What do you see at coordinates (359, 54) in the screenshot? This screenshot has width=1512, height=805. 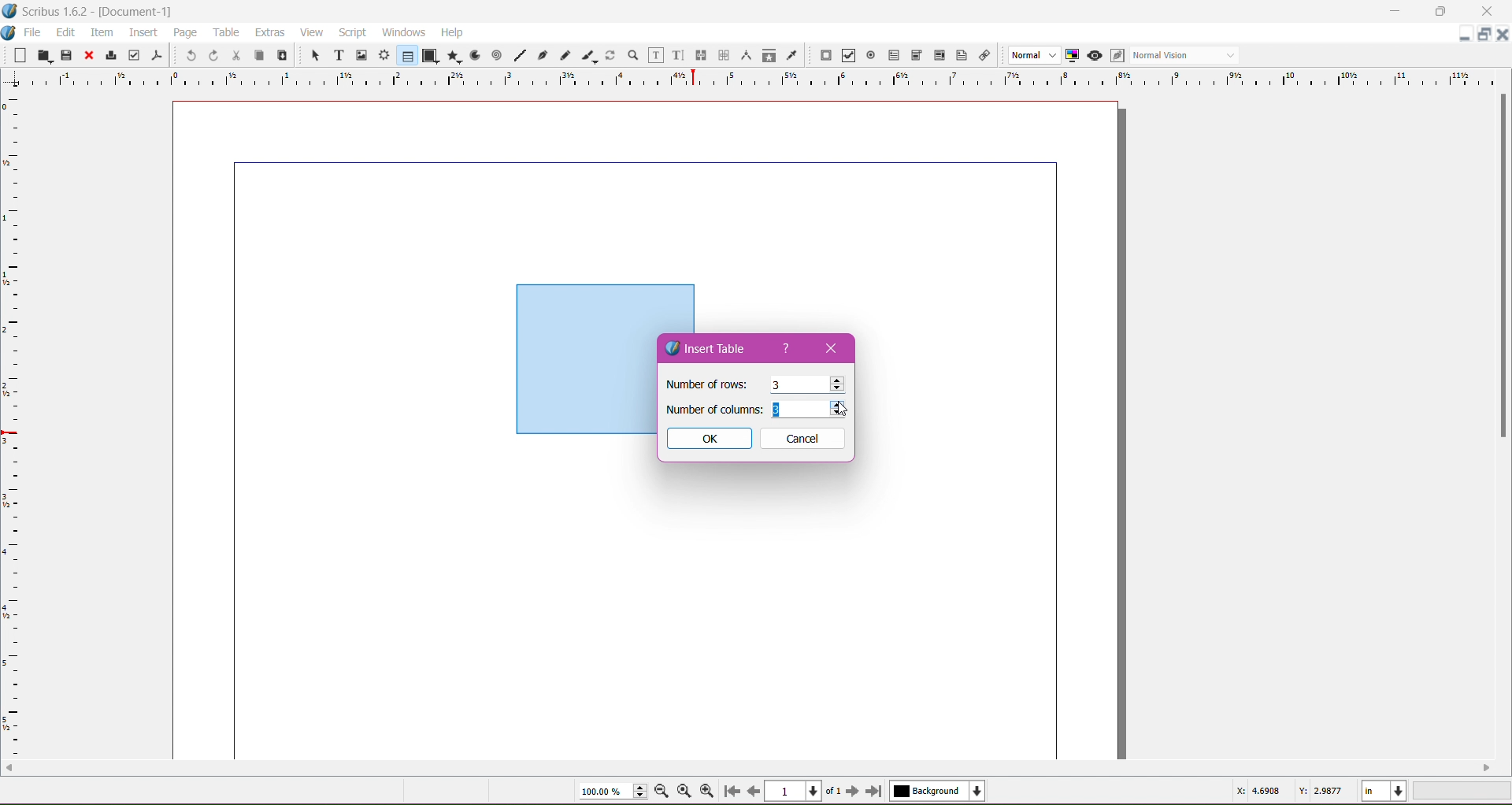 I see `Image Frame` at bounding box center [359, 54].